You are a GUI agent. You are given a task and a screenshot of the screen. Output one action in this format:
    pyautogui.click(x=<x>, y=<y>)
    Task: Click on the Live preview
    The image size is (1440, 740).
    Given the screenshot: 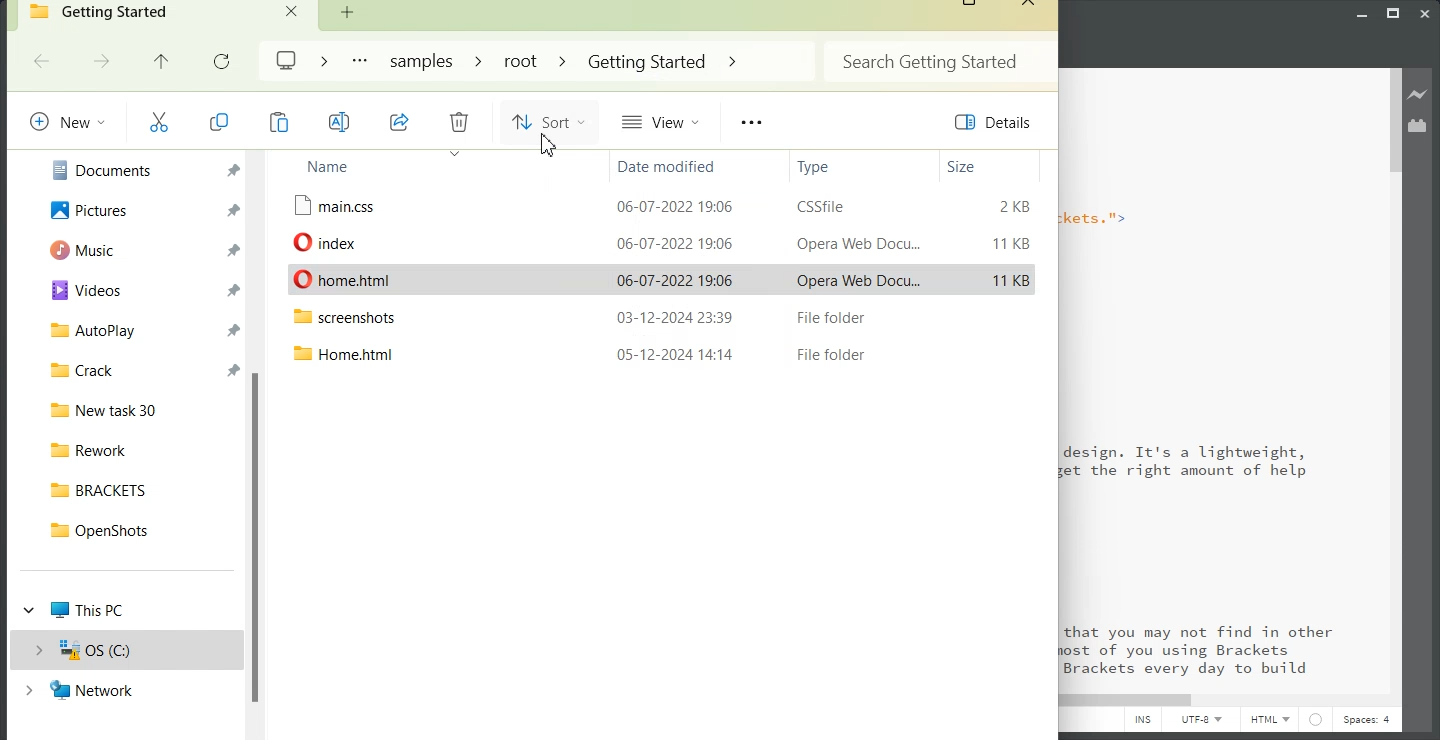 What is the action you would take?
    pyautogui.click(x=1419, y=94)
    